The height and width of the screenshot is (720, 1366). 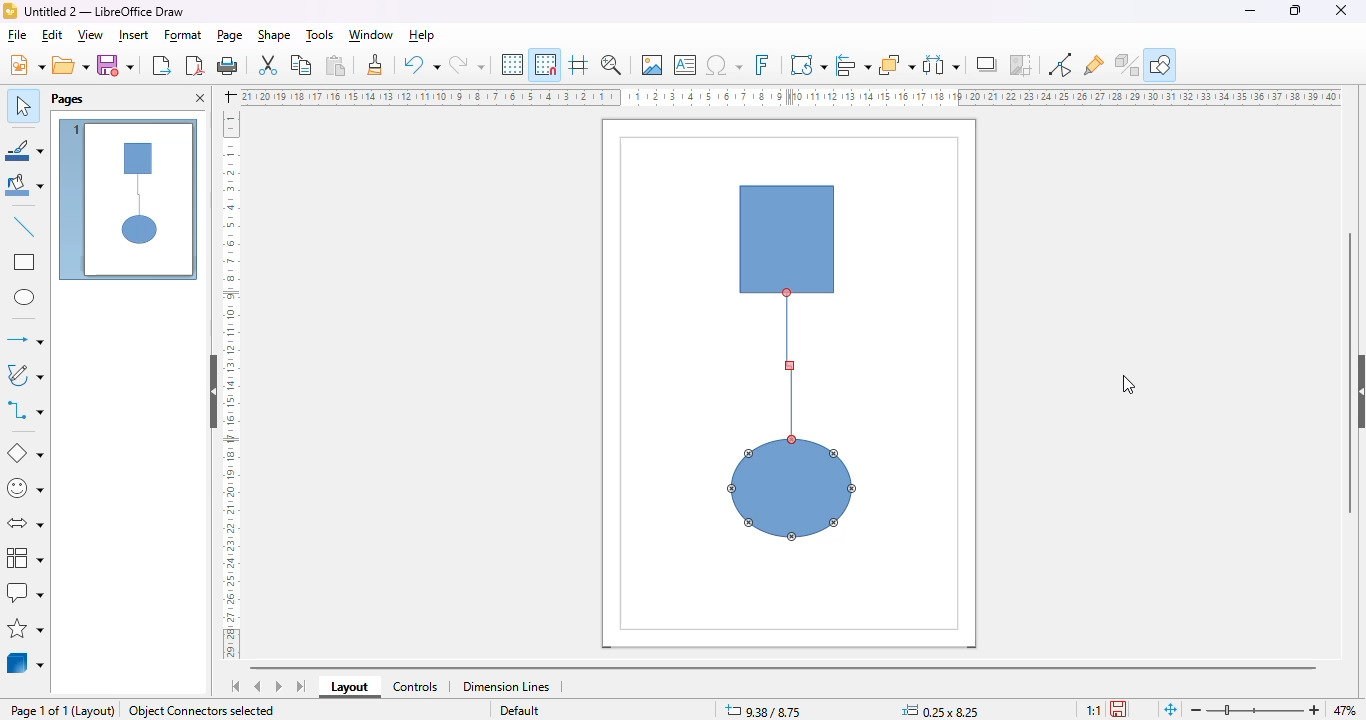 What do you see at coordinates (27, 628) in the screenshot?
I see `stars and banners` at bounding box center [27, 628].